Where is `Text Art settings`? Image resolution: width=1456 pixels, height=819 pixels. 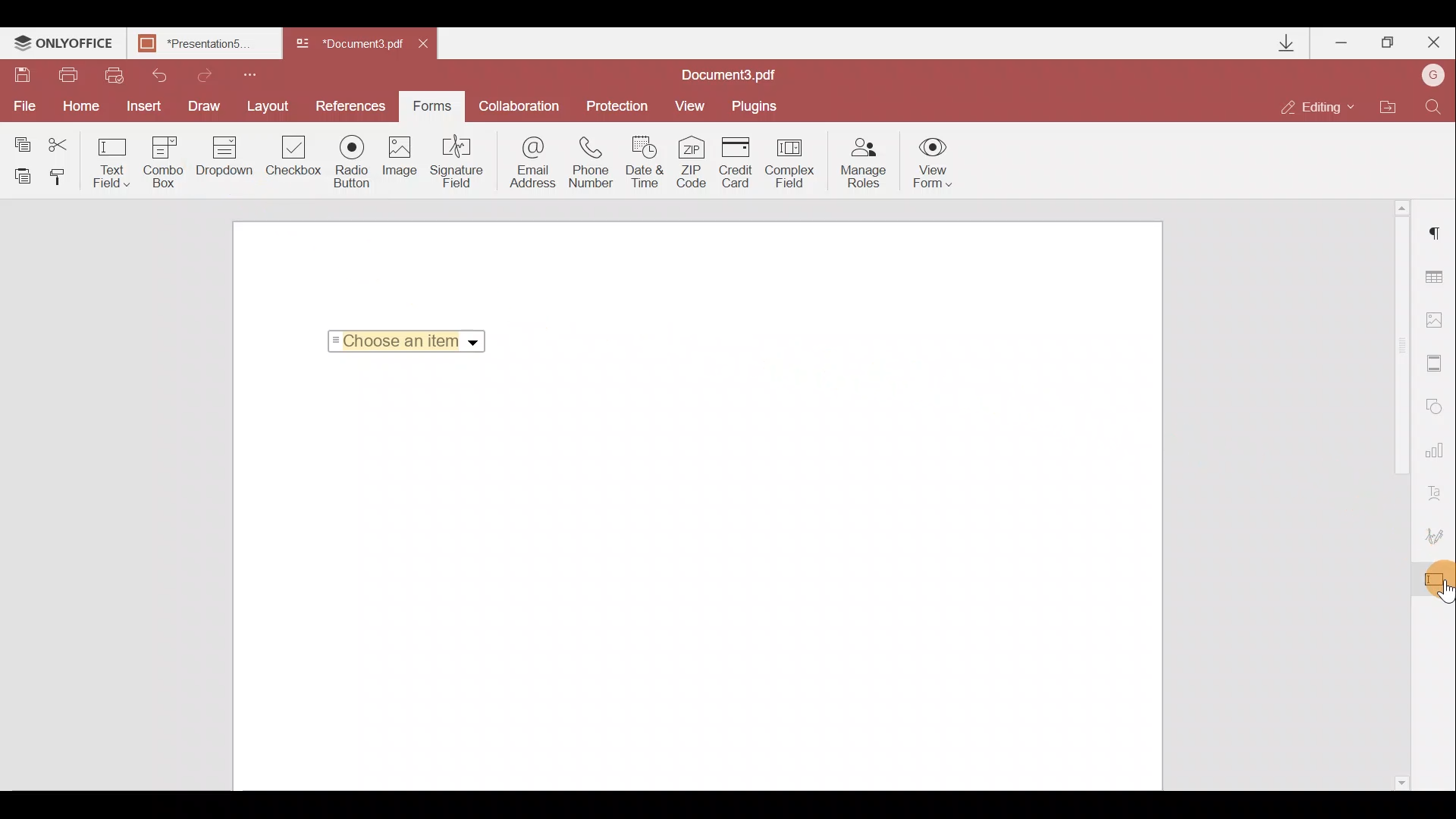
Text Art settings is located at coordinates (1439, 491).